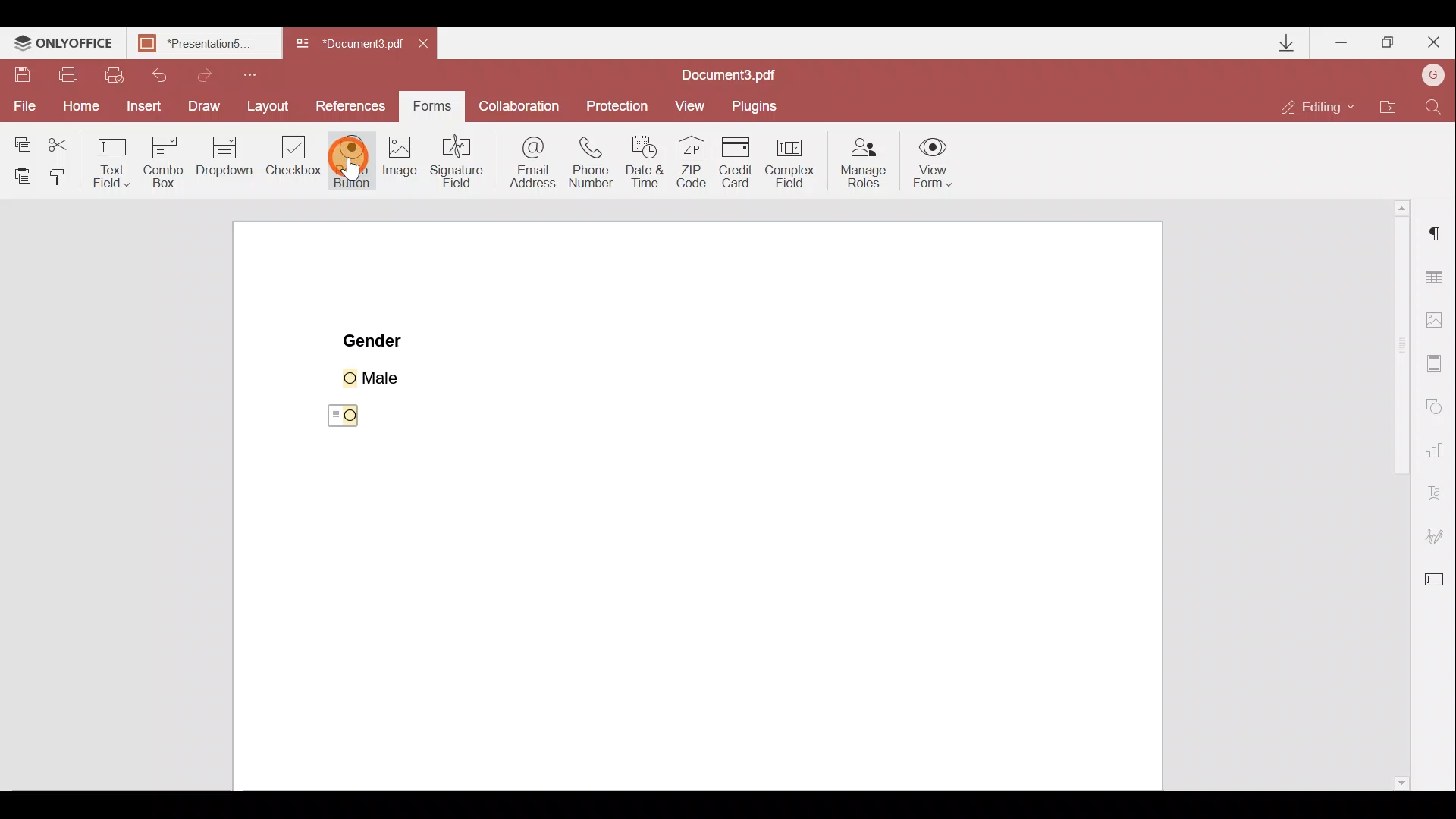 The height and width of the screenshot is (819, 1456). I want to click on Open file location, so click(1395, 105).